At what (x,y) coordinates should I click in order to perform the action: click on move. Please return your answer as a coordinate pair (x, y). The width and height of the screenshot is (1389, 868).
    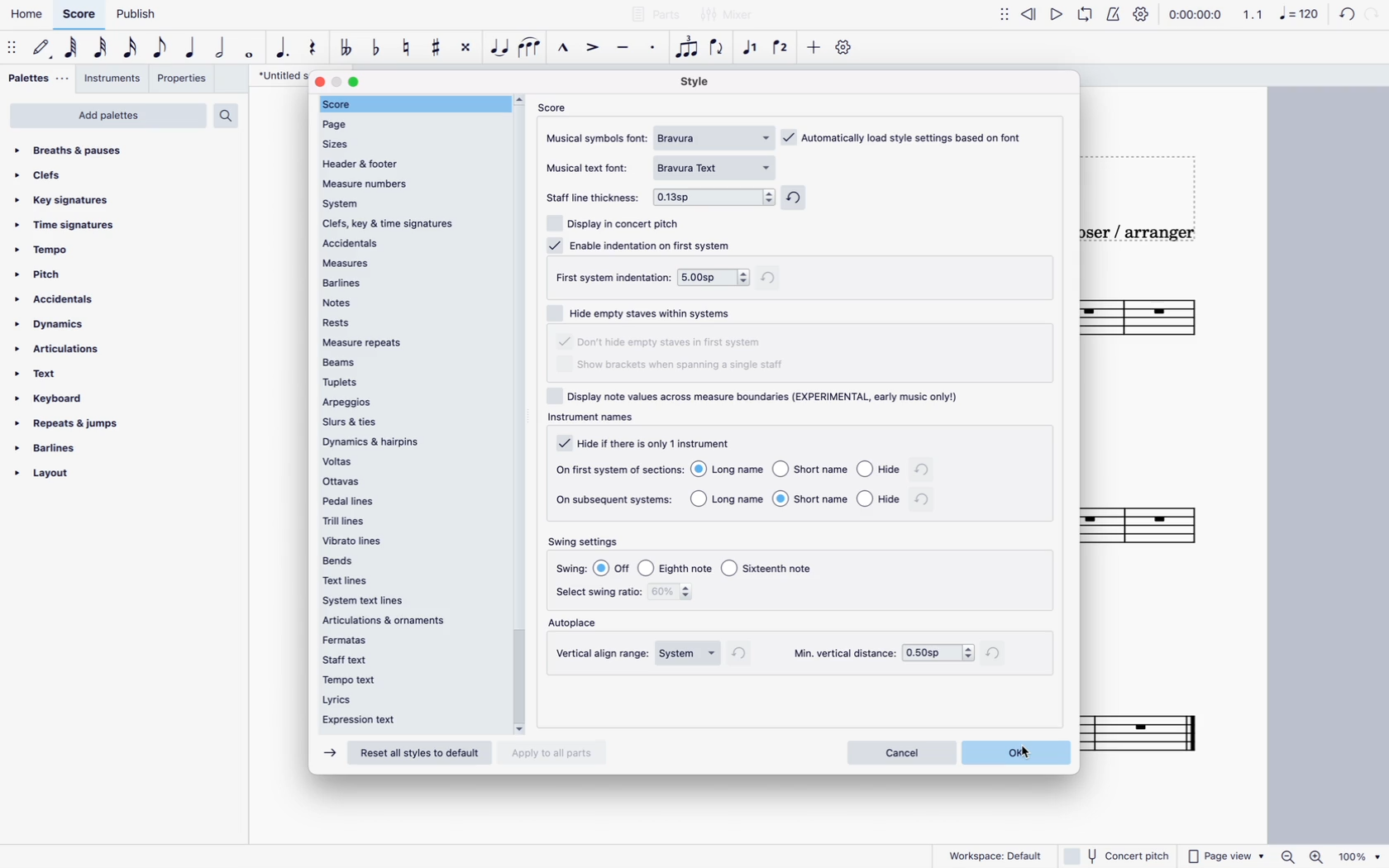
    Looking at the image, I should click on (12, 47).